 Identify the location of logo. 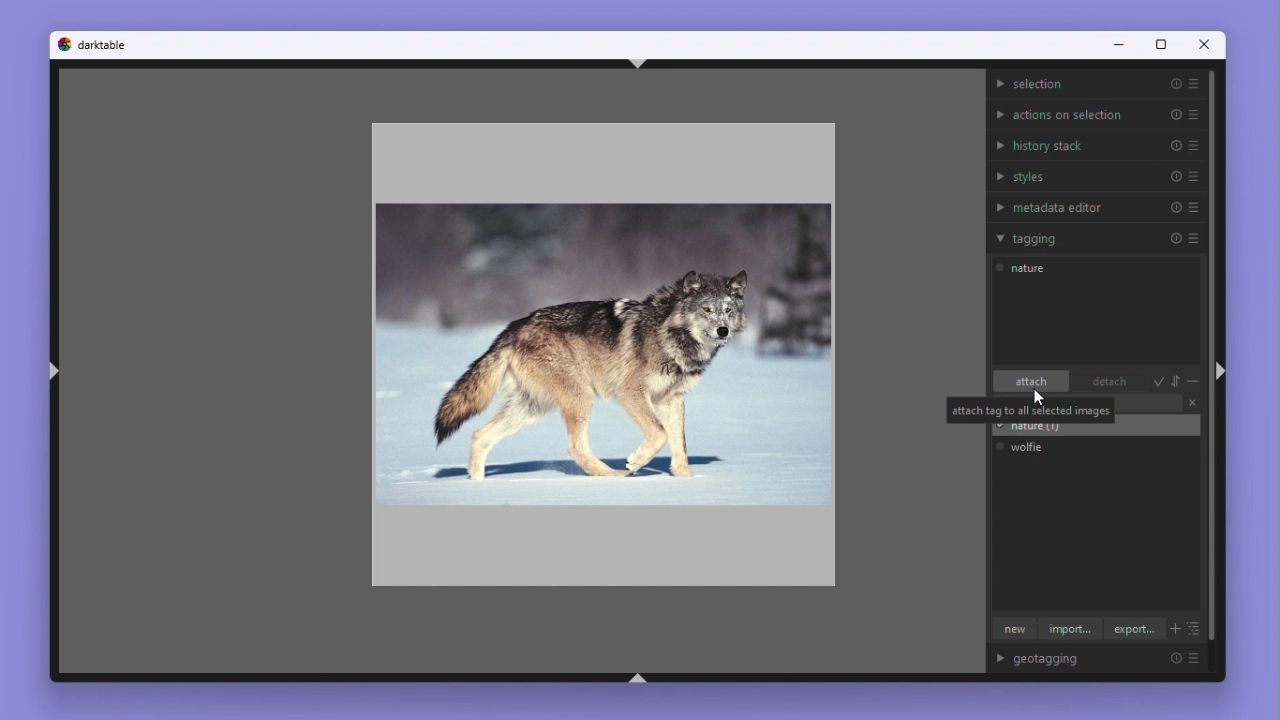
(63, 43).